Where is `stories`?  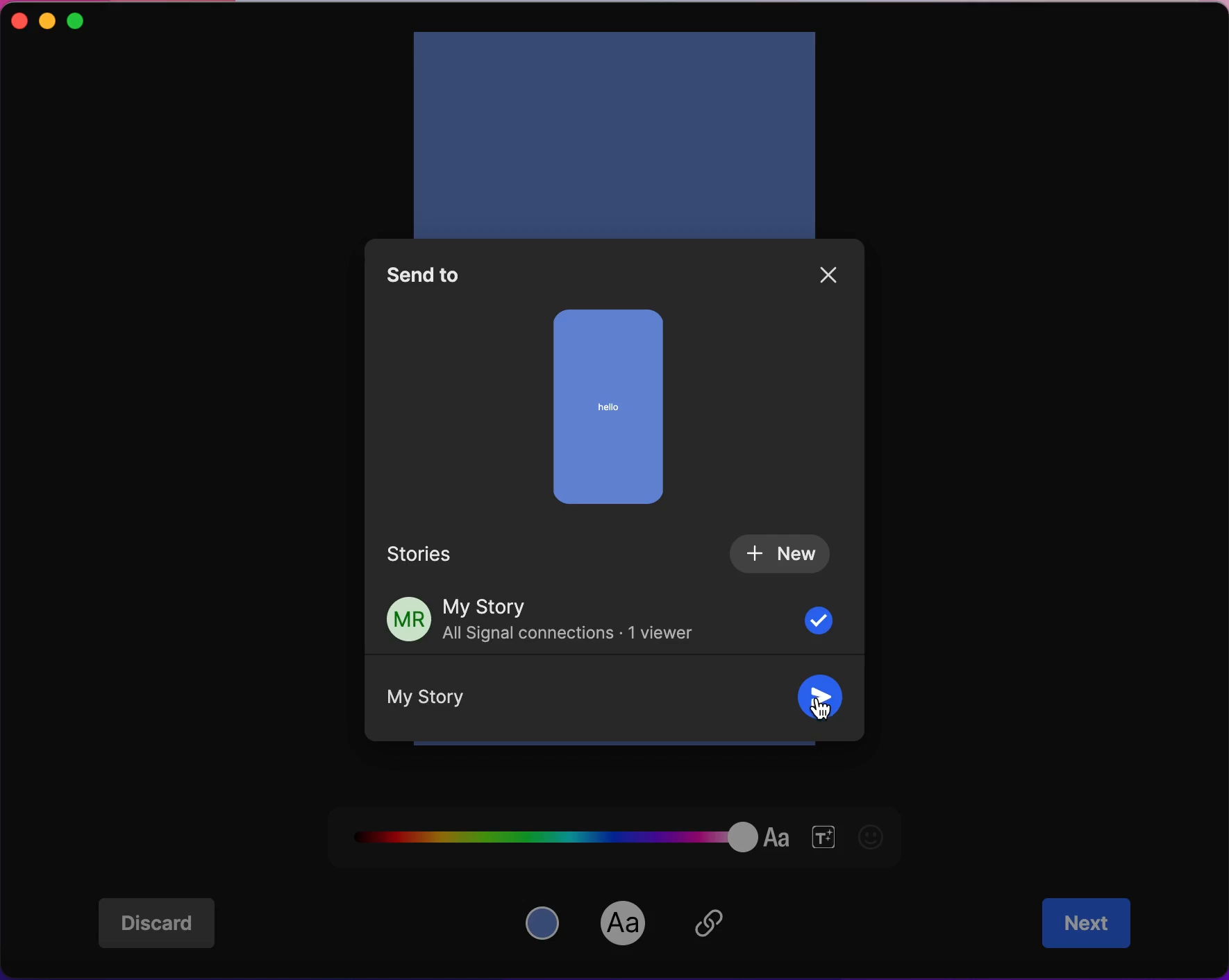
stories is located at coordinates (422, 556).